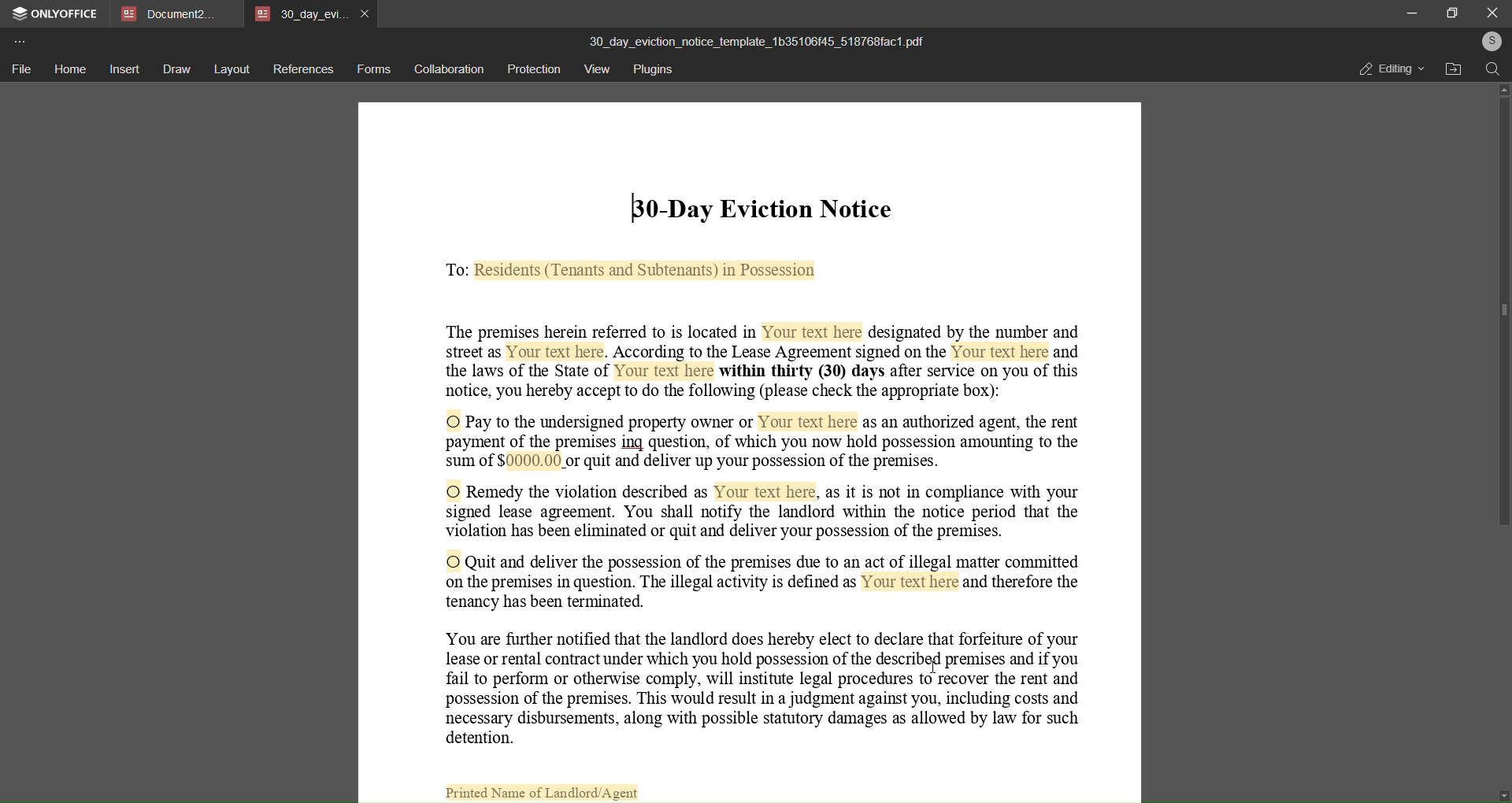 This screenshot has width=1512, height=803. I want to click on search, so click(1493, 68).